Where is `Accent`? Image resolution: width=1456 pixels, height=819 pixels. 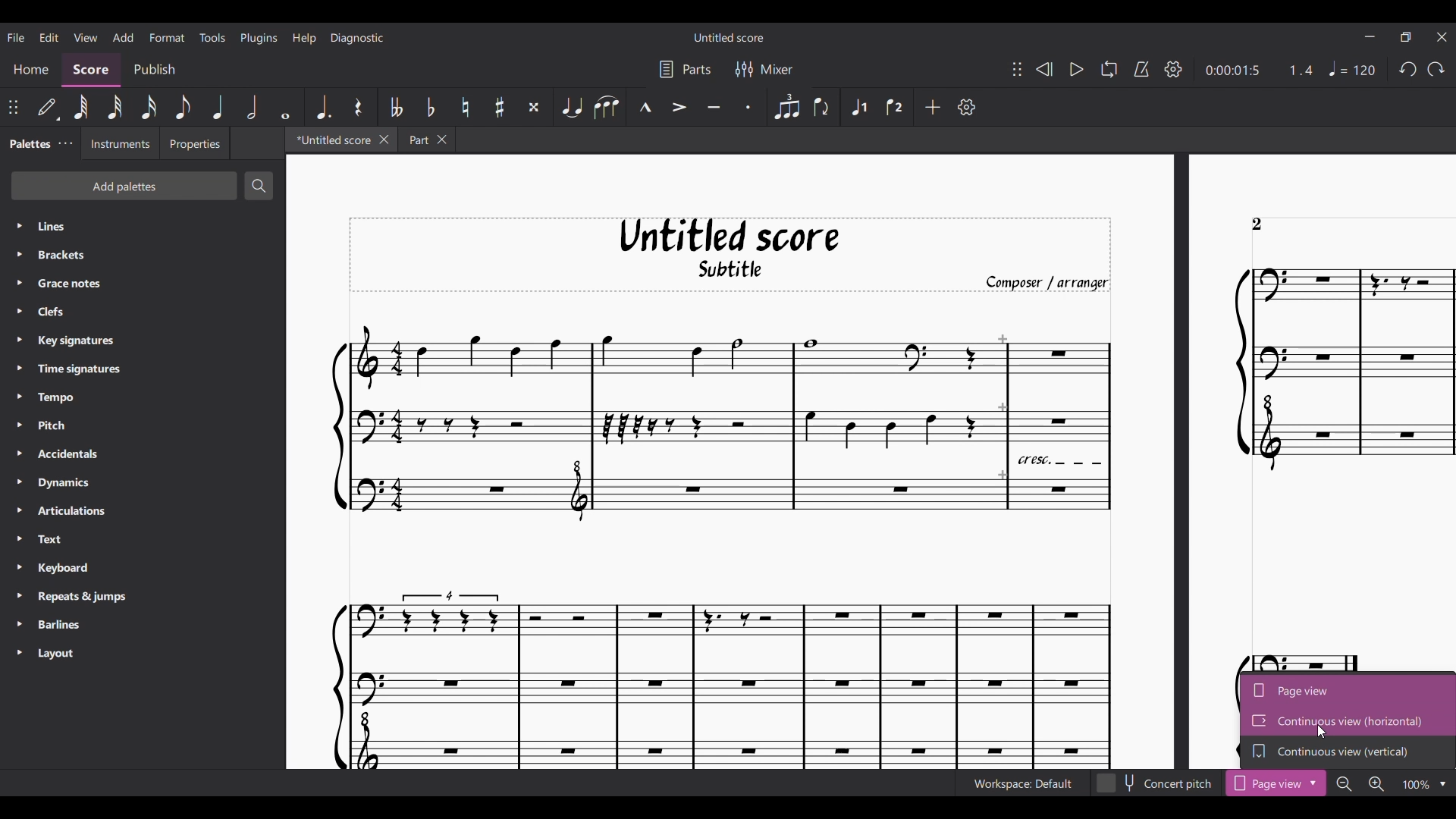
Accent is located at coordinates (678, 107).